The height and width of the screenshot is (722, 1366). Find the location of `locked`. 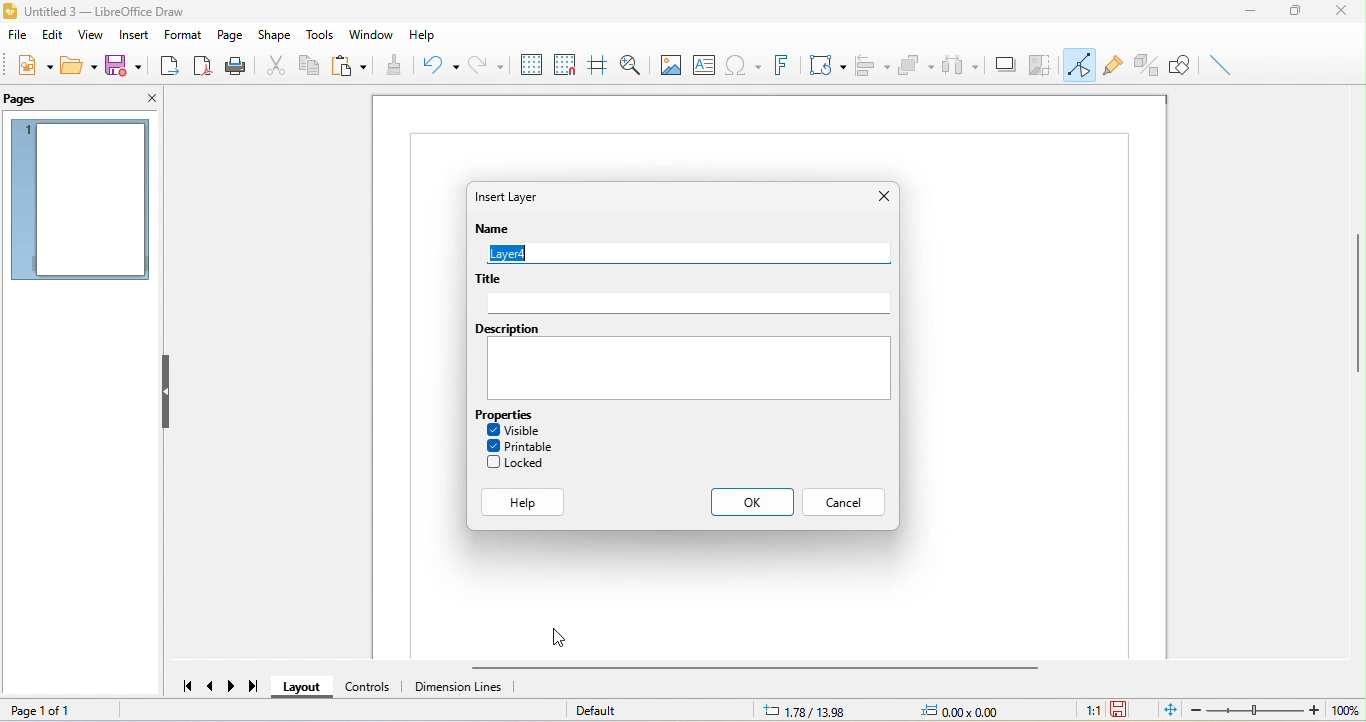

locked is located at coordinates (519, 463).